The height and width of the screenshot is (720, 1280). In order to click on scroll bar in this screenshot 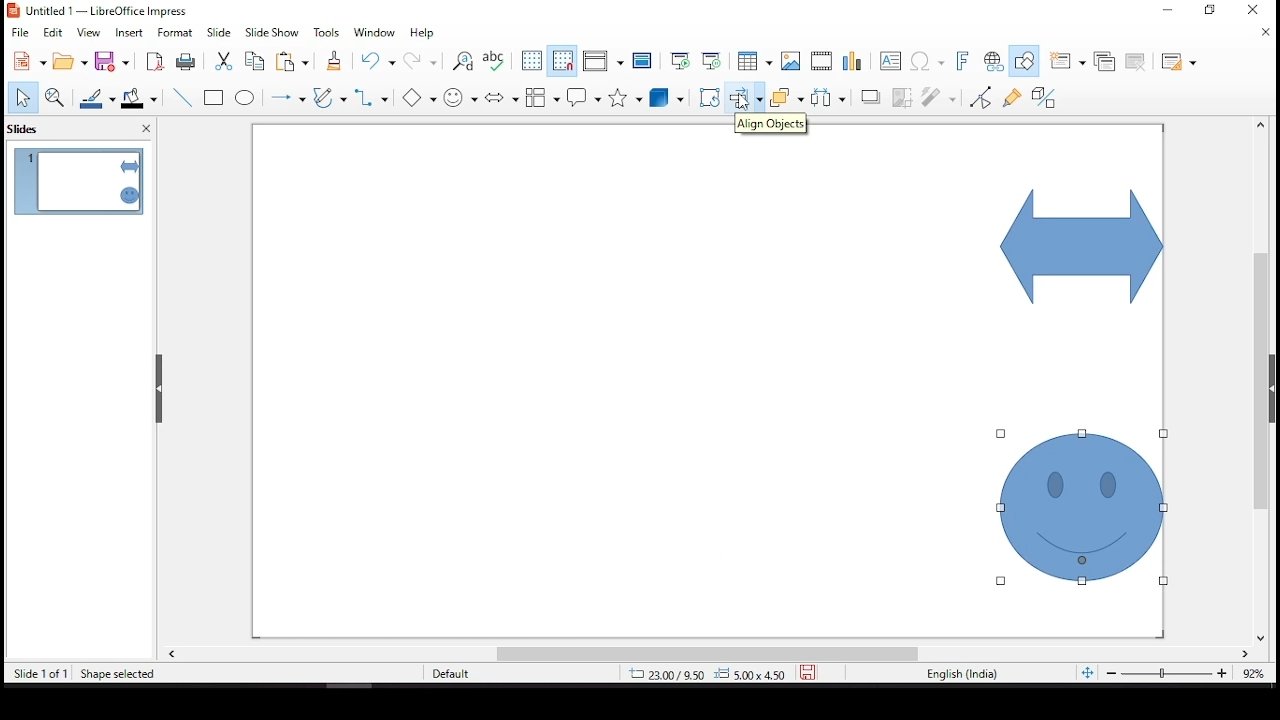, I will do `click(1267, 381)`.